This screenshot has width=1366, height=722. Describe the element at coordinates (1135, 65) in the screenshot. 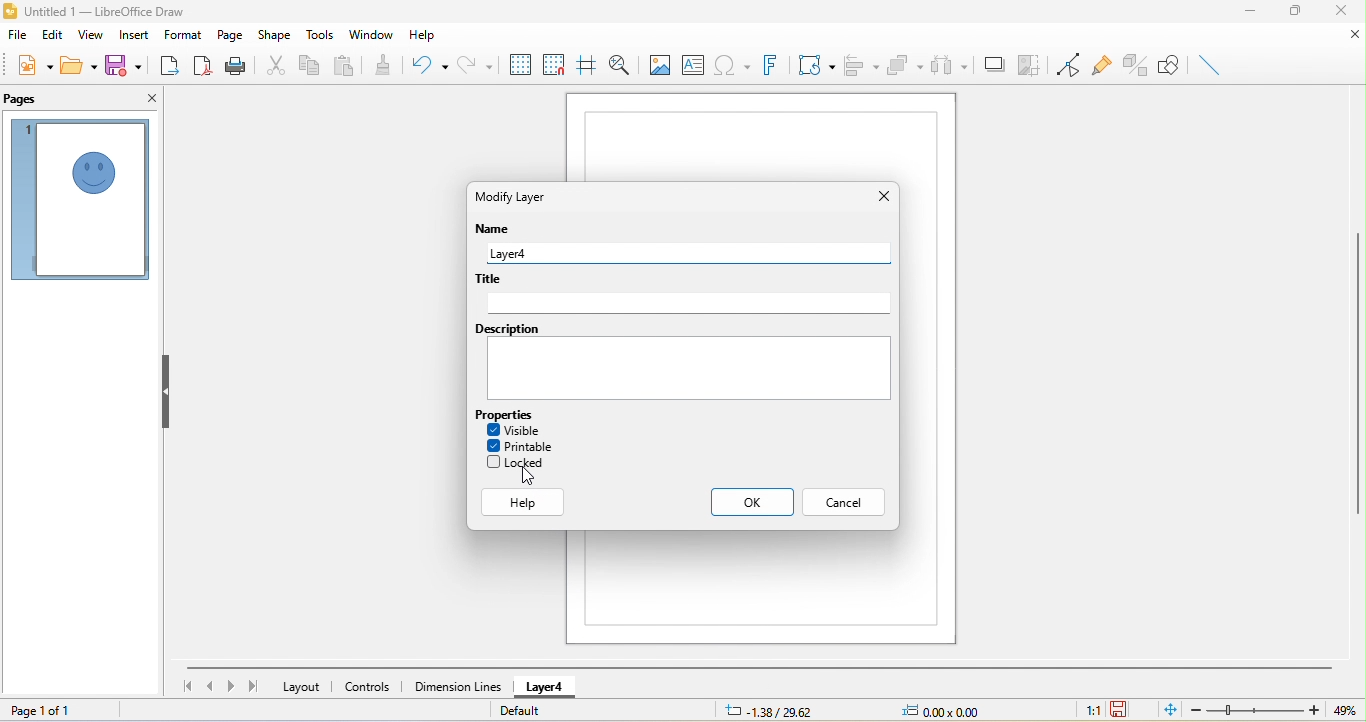

I see `toggle extrusion` at that location.